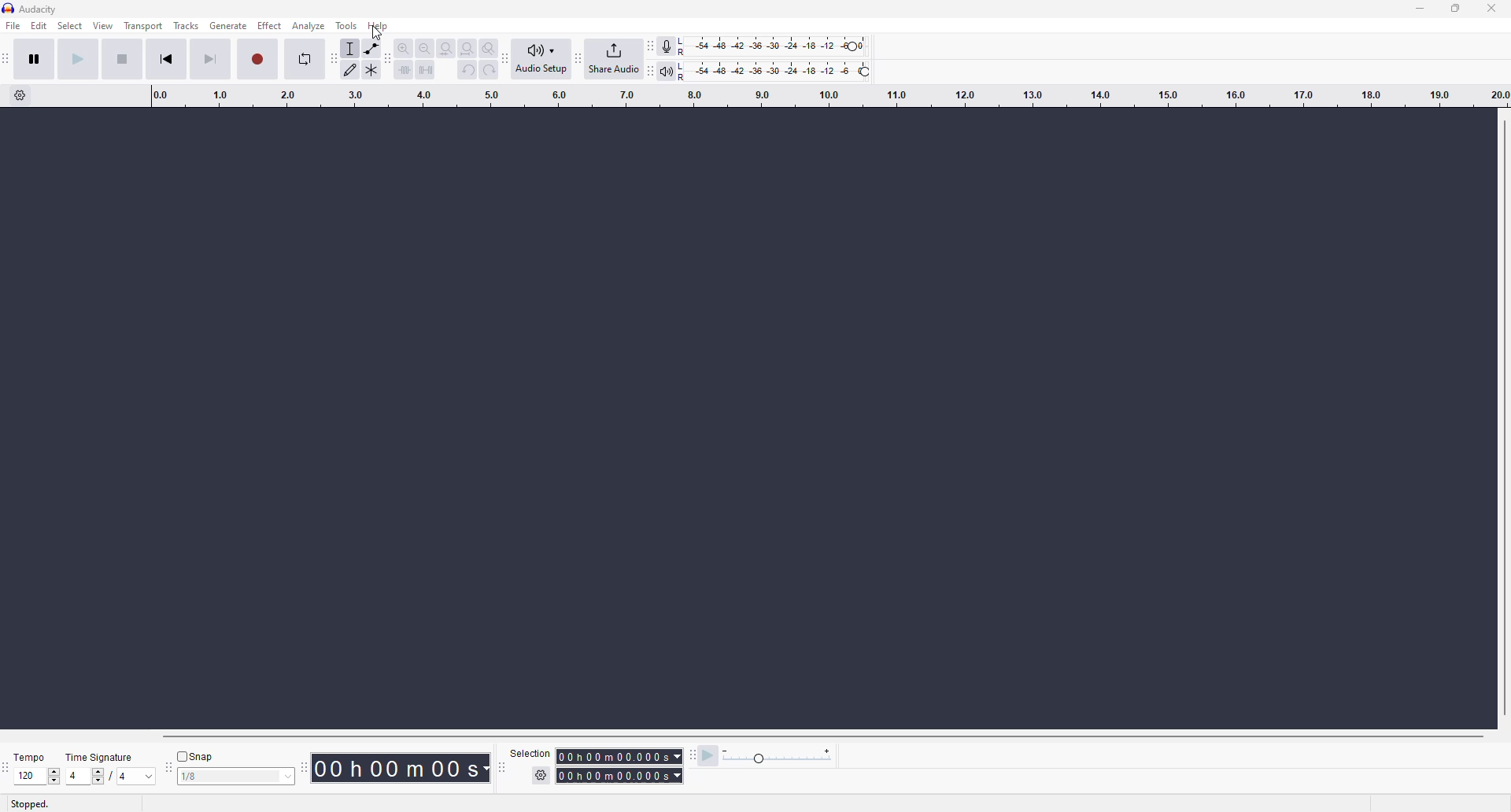 This screenshot has width=1511, height=812. Describe the element at coordinates (1501, 416) in the screenshot. I see `Vertical Scrollbar` at that location.